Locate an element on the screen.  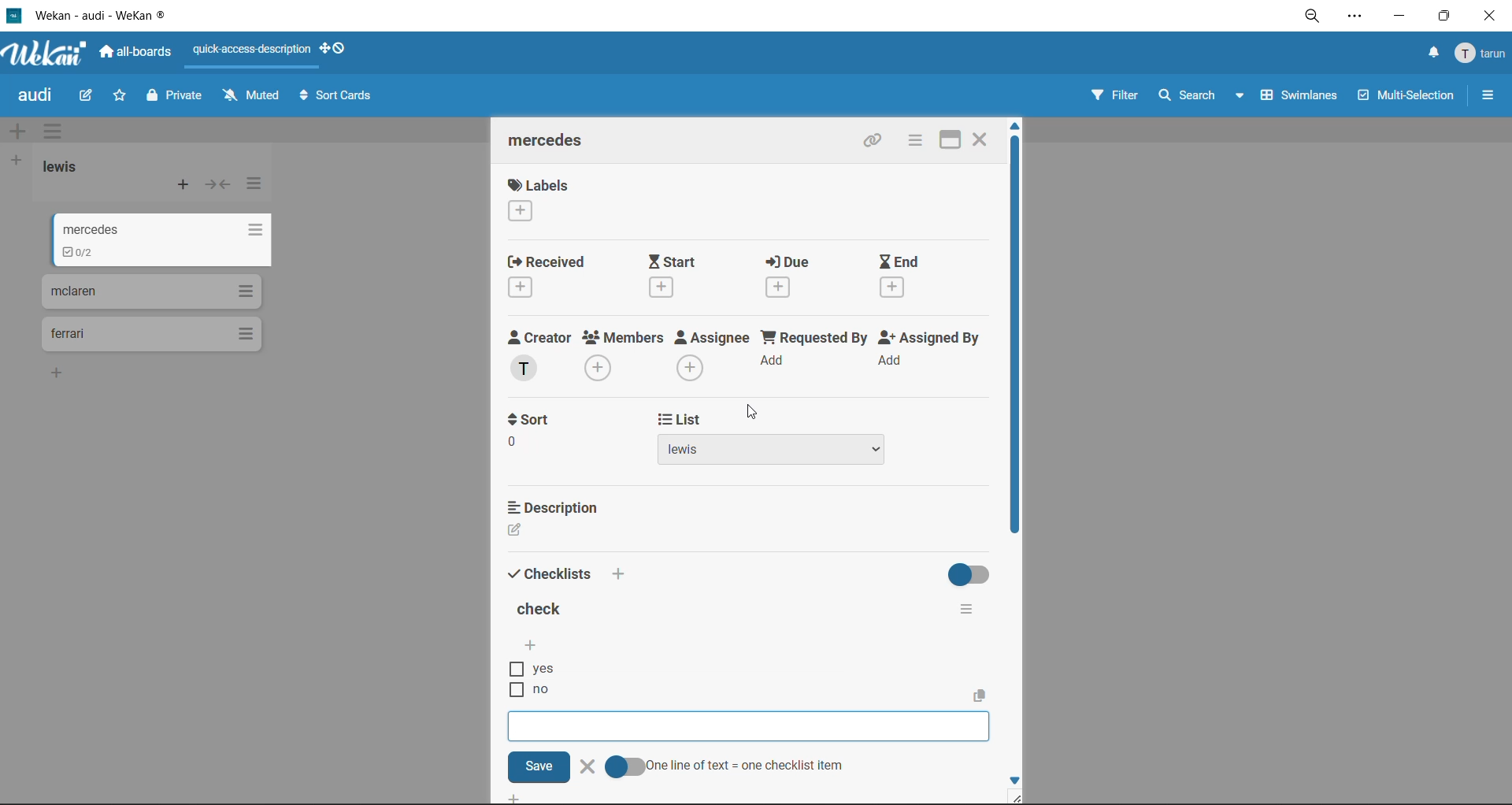
cursor is located at coordinates (754, 415).